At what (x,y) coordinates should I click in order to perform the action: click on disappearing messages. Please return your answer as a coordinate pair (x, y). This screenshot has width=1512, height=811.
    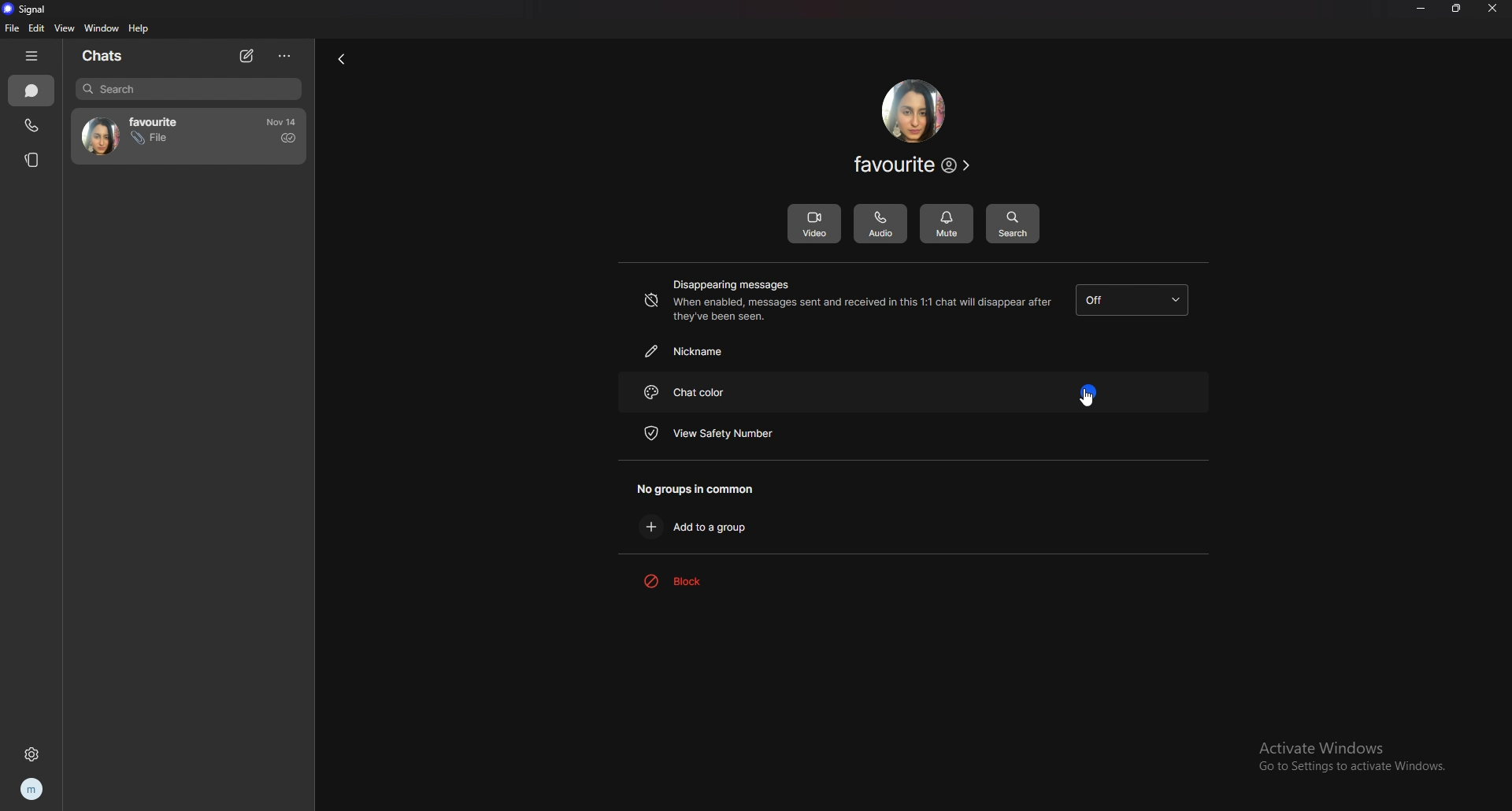
    Looking at the image, I should click on (846, 300).